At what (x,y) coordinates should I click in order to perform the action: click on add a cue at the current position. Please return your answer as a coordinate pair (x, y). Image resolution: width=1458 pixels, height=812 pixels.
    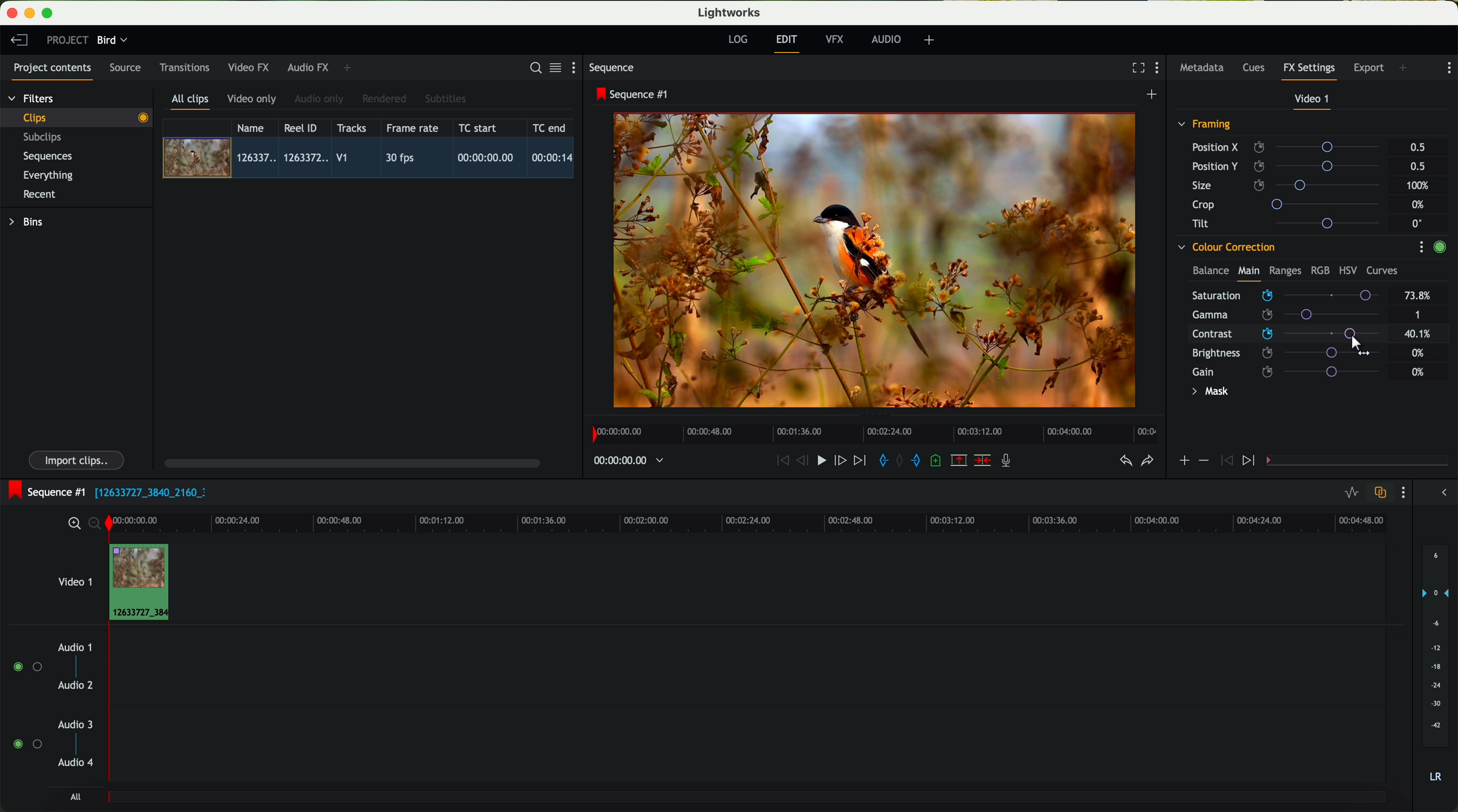
    Looking at the image, I should click on (937, 461).